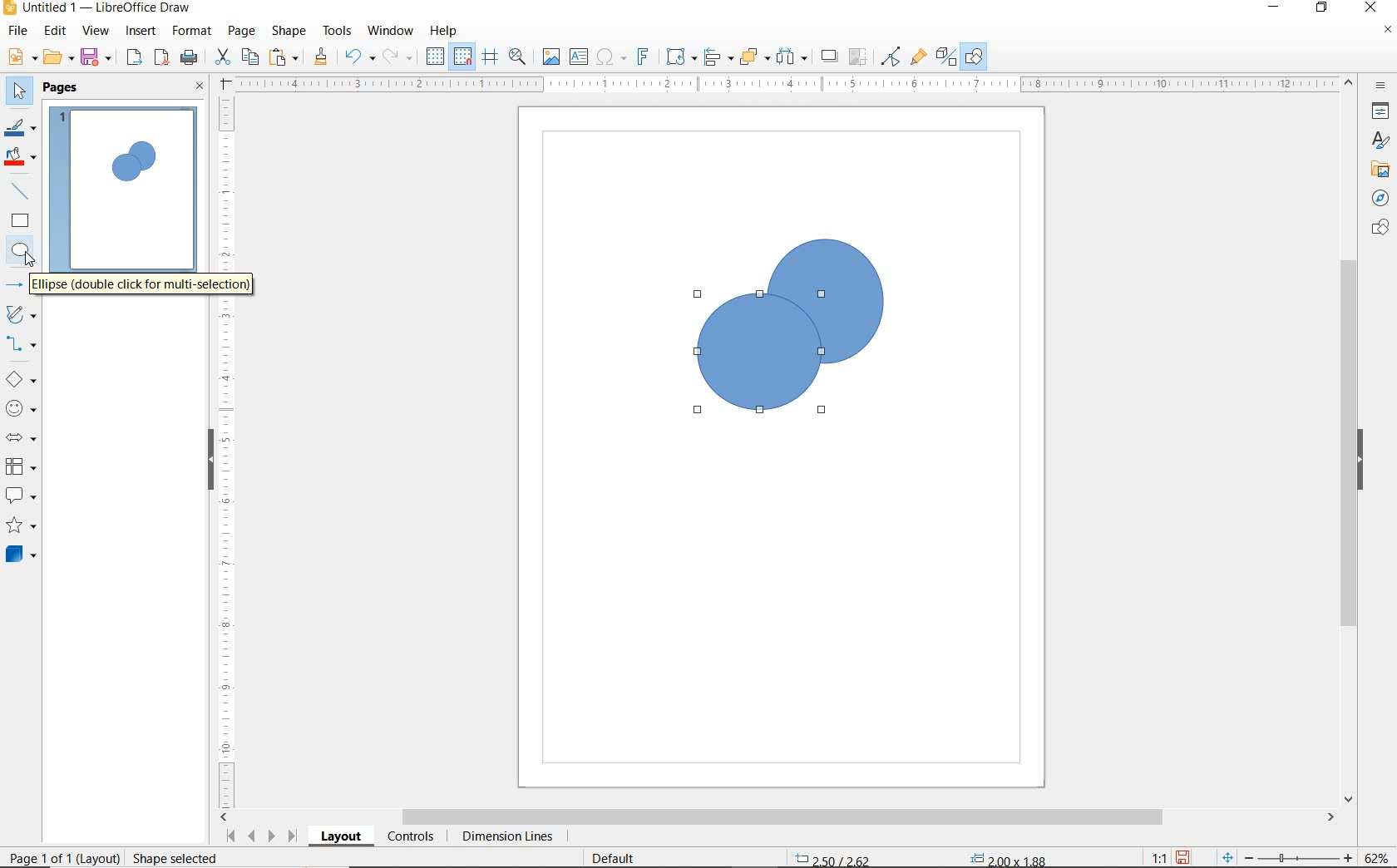 This screenshot has width=1397, height=868. What do you see at coordinates (21, 527) in the screenshot?
I see `STARS AND BANNERS` at bounding box center [21, 527].